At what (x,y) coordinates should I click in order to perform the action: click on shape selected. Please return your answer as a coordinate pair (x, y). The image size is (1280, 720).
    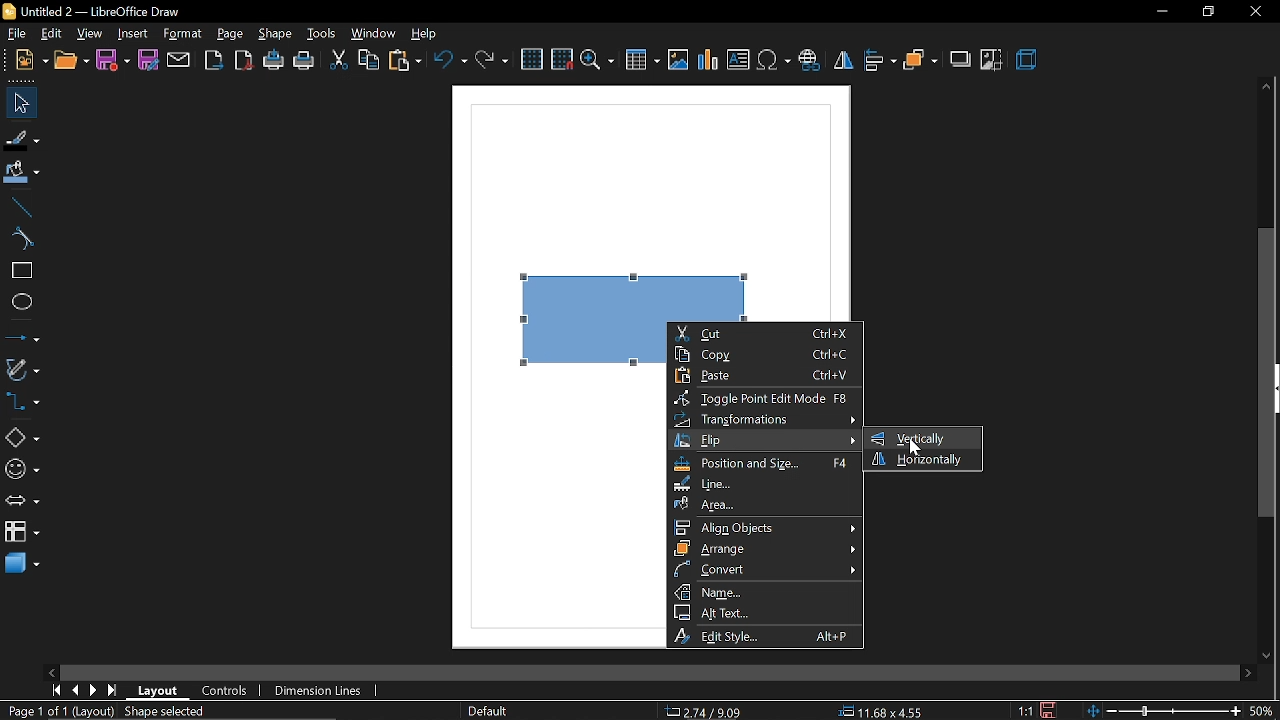
    Looking at the image, I should click on (167, 713).